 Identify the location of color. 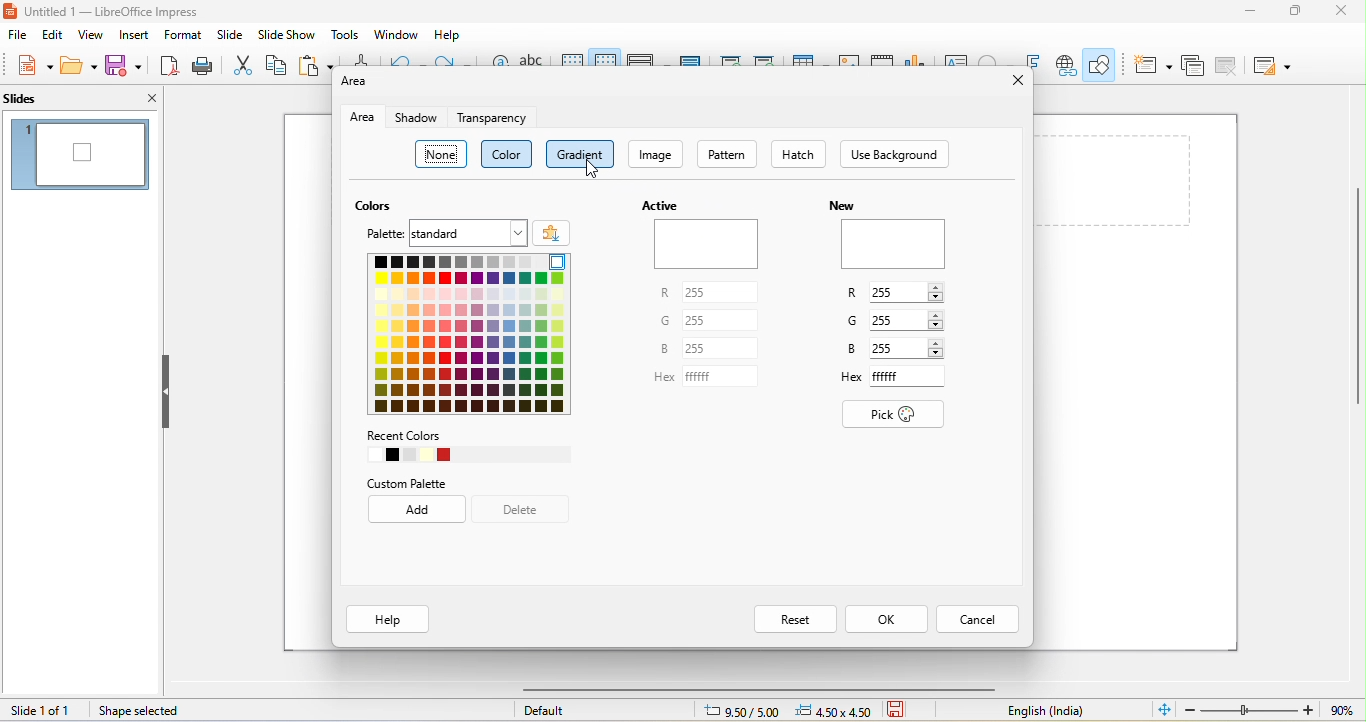
(509, 155).